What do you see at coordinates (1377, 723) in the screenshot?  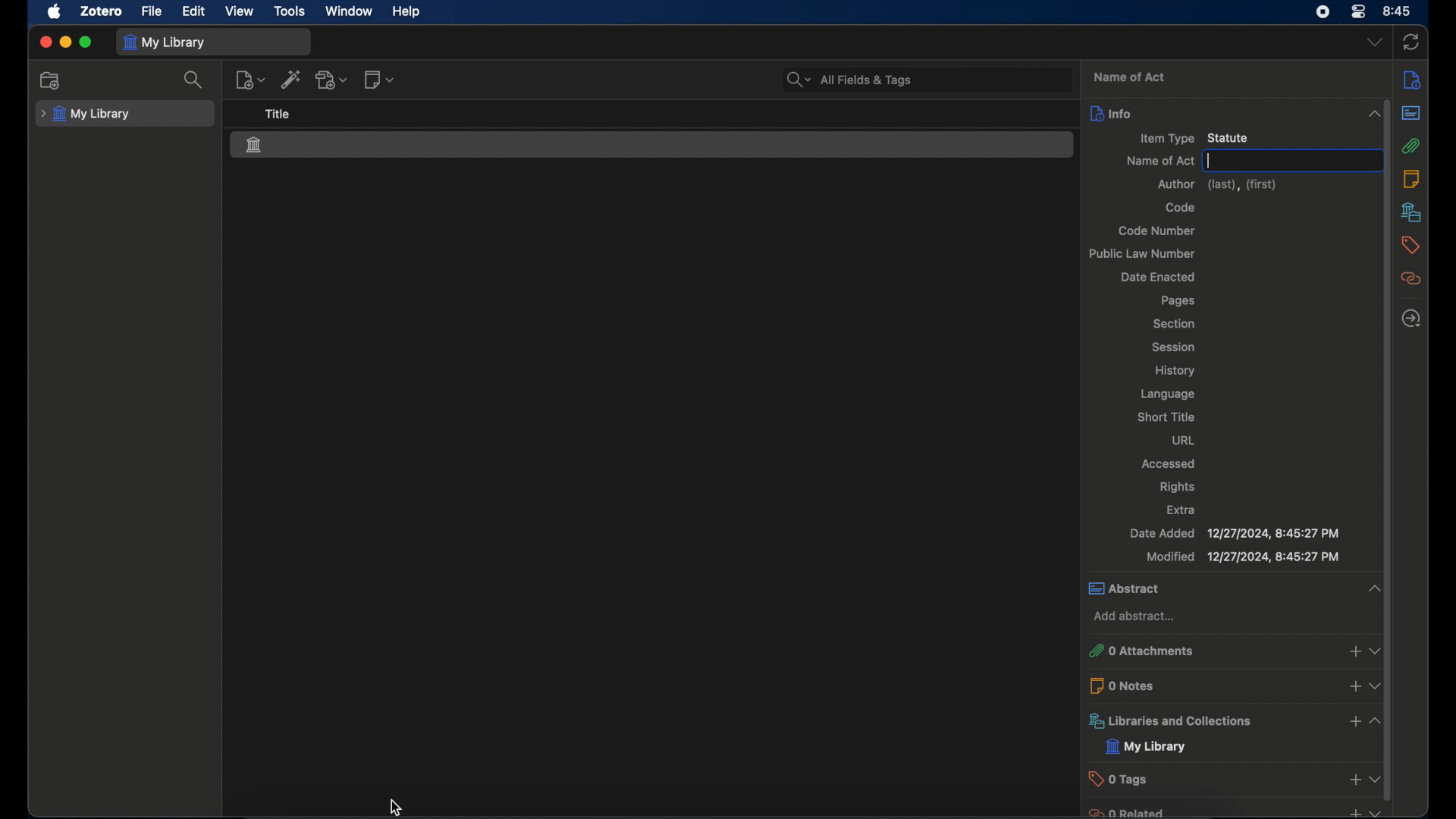 I see `collapse` at bounding box center [1377, 723].